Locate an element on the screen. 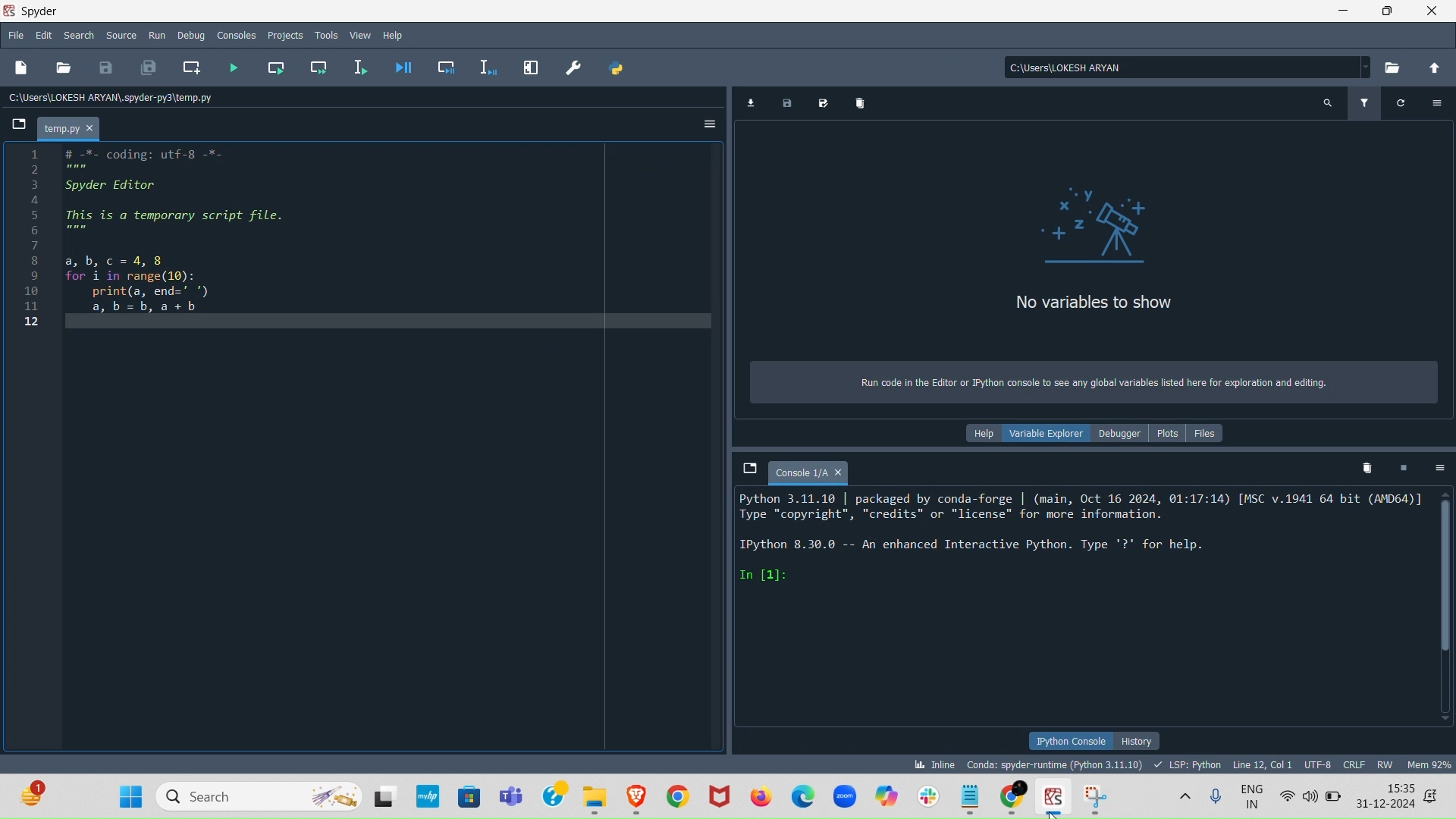  Open file (Ctrl + O) is located at coordinates (64, 67).